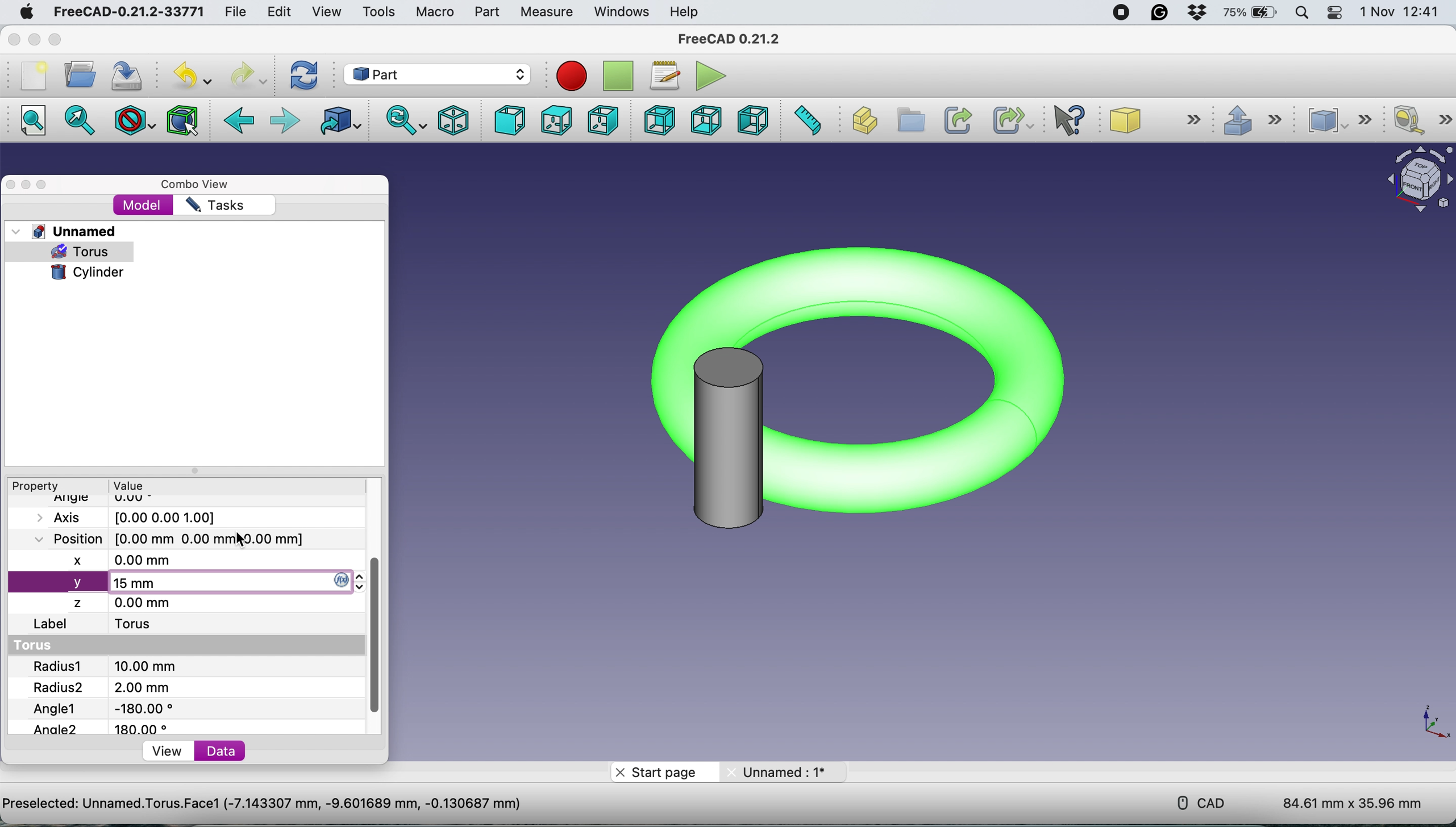 This screenshot has height=827, width=1456. I want to click on spotlight search, so click(1304, 14).